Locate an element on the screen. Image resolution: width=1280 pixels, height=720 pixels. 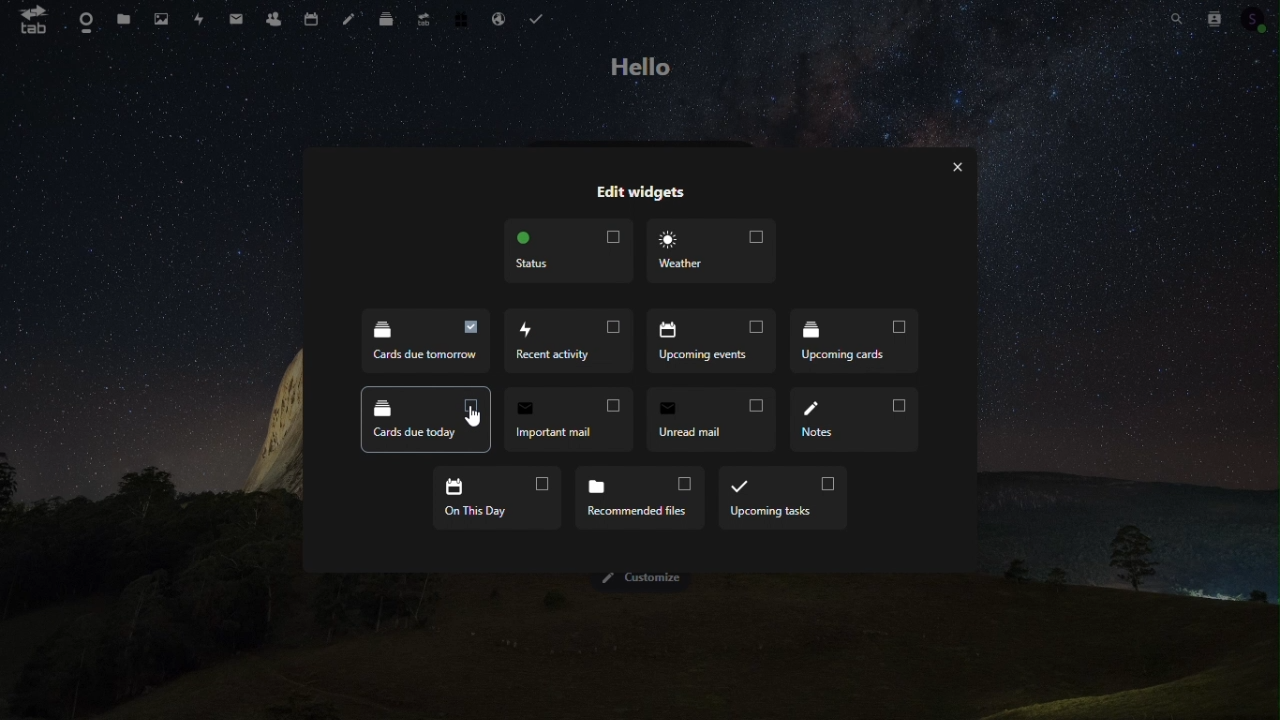
Recent activity is located at coordinates (572, 340).